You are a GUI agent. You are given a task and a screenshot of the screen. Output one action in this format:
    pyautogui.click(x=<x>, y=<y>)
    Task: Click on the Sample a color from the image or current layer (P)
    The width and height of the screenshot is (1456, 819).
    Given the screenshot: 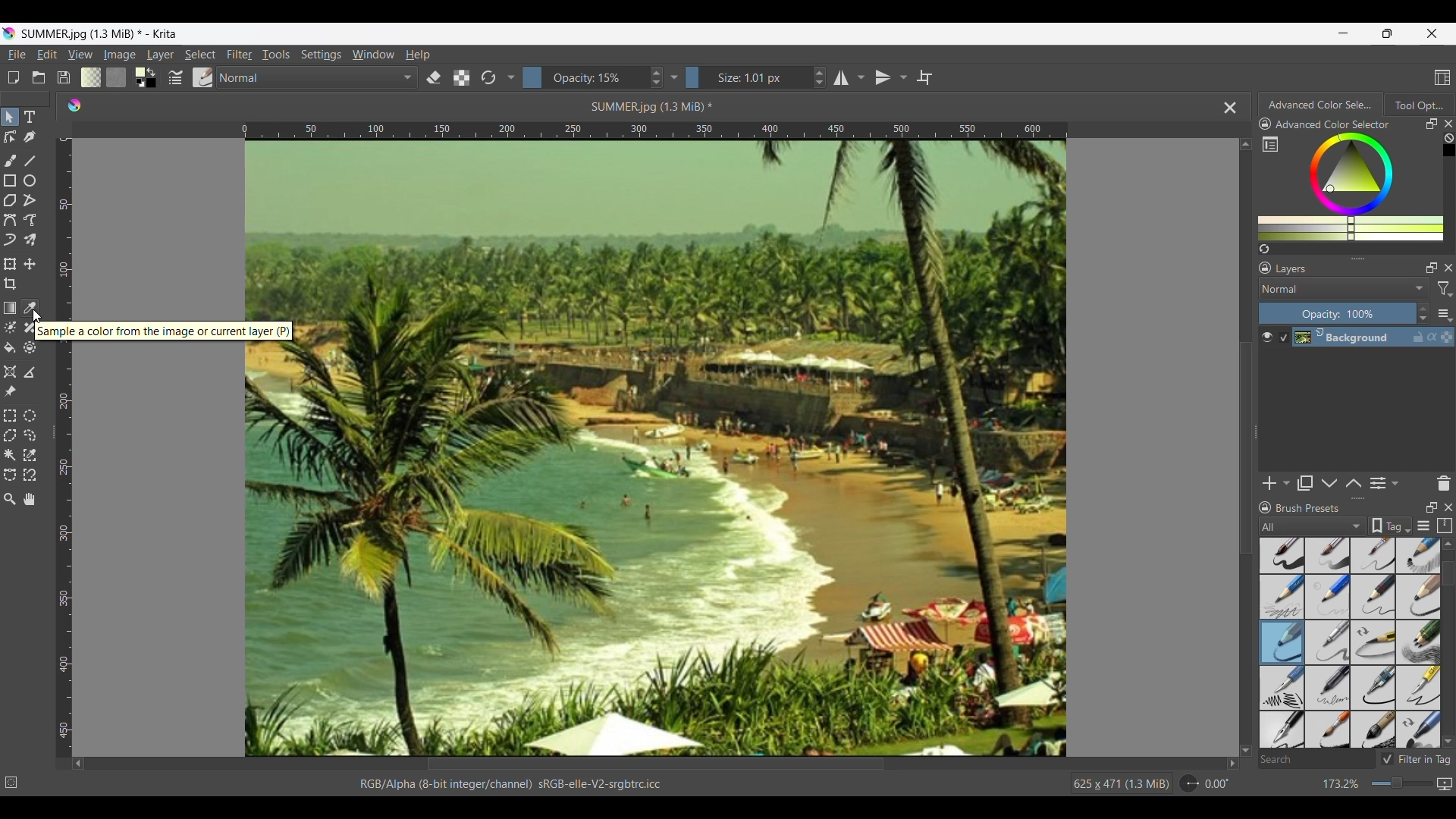 What is the action you would take?
    pyautogui.click(x=165, y=331)
    